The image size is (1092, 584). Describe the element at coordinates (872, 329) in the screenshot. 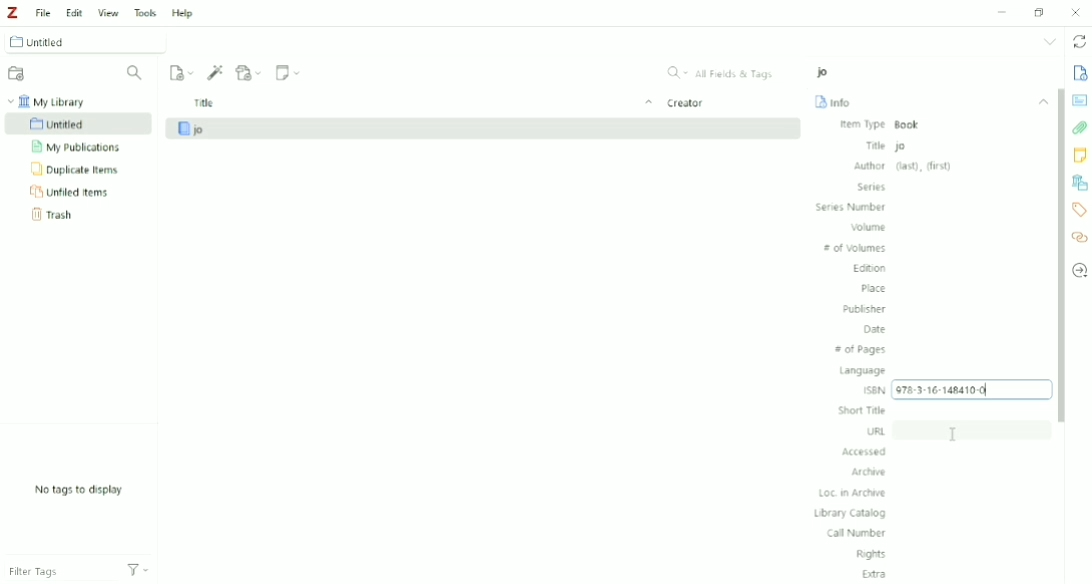

I see `Date` at that location.